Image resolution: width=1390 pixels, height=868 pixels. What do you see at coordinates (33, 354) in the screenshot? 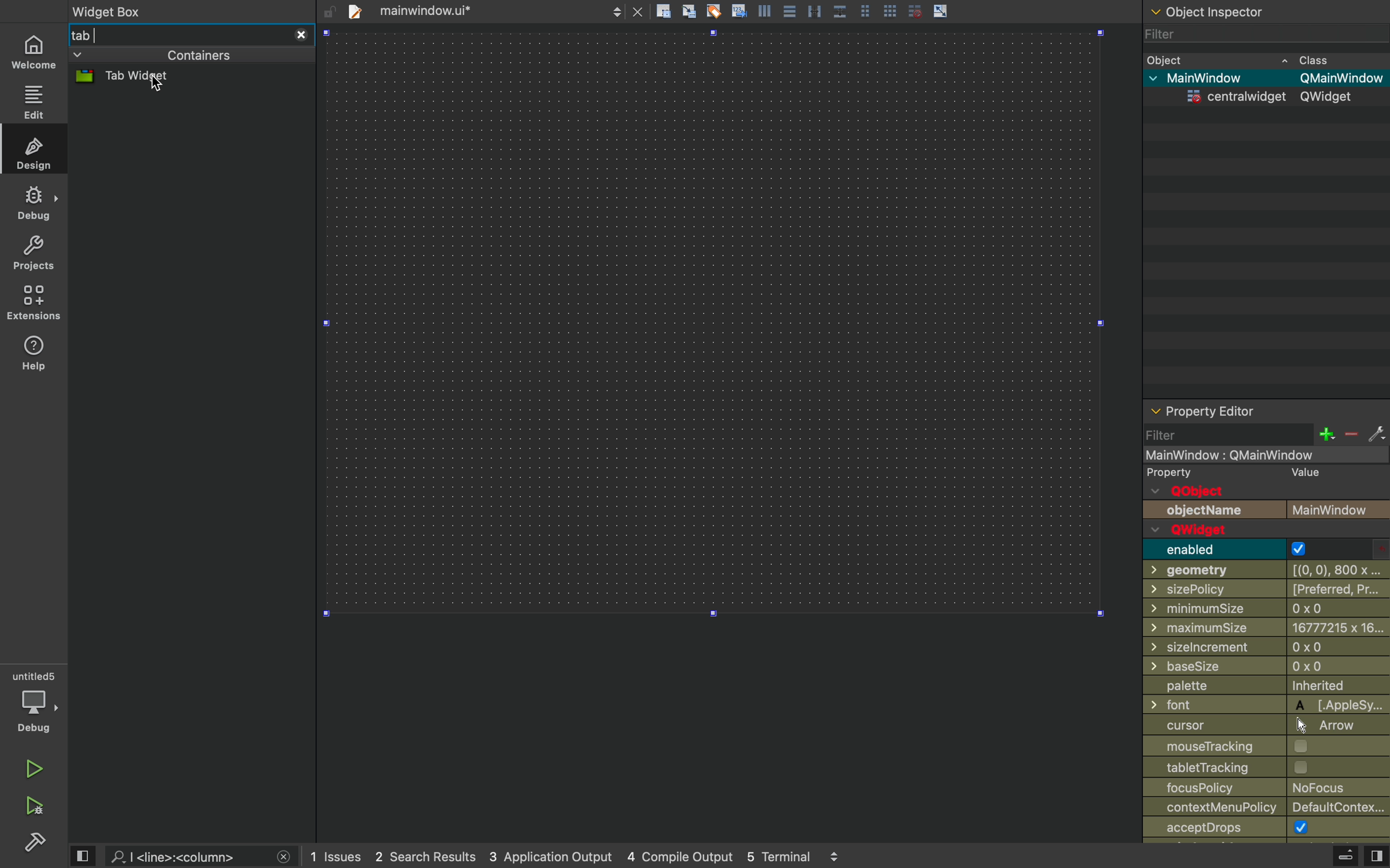
I see `help` at bounding box center [33, 354].